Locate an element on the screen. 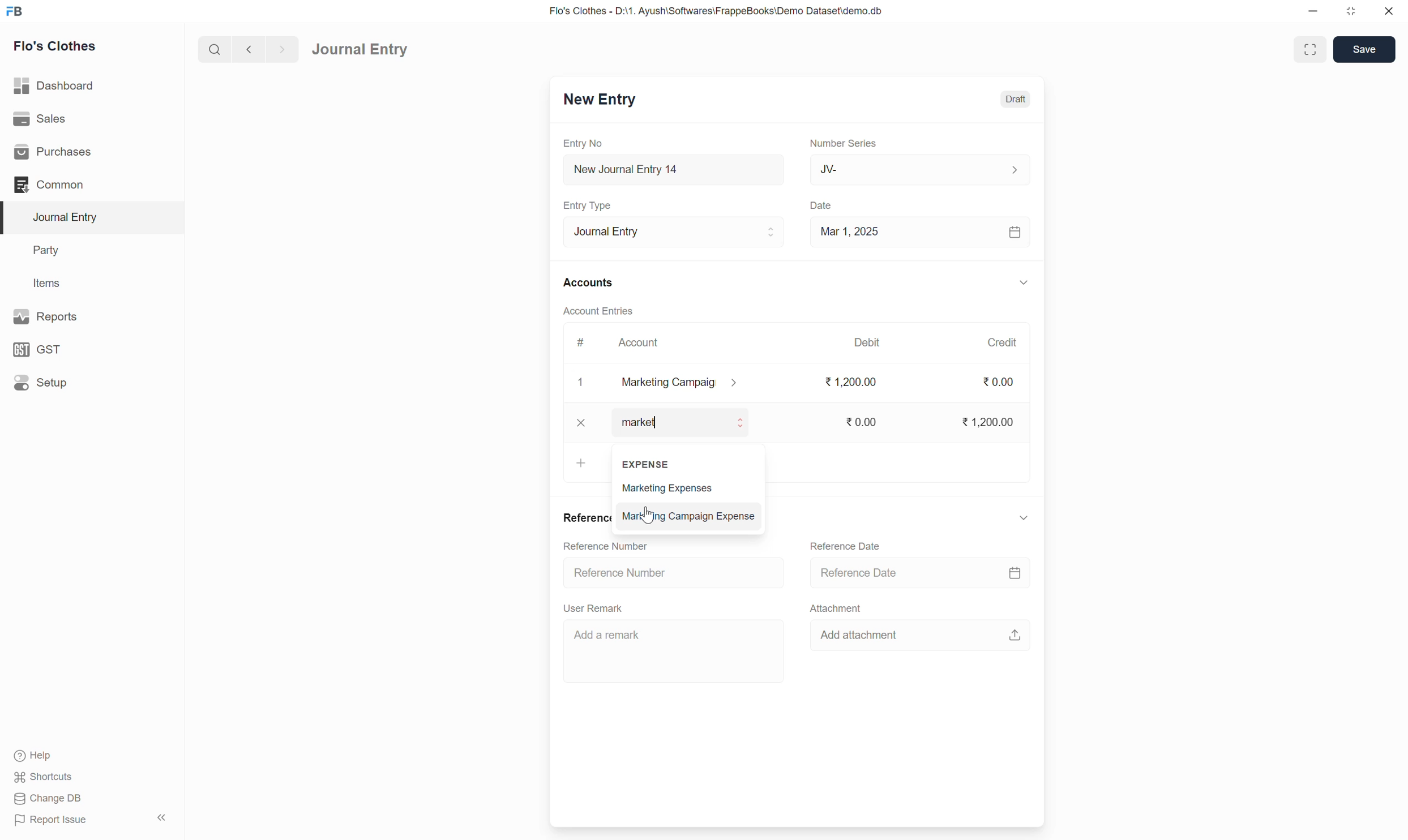 Image resolution: width=1408 pixels, height=840 pixels. close is located at coordinates (1389, 11).